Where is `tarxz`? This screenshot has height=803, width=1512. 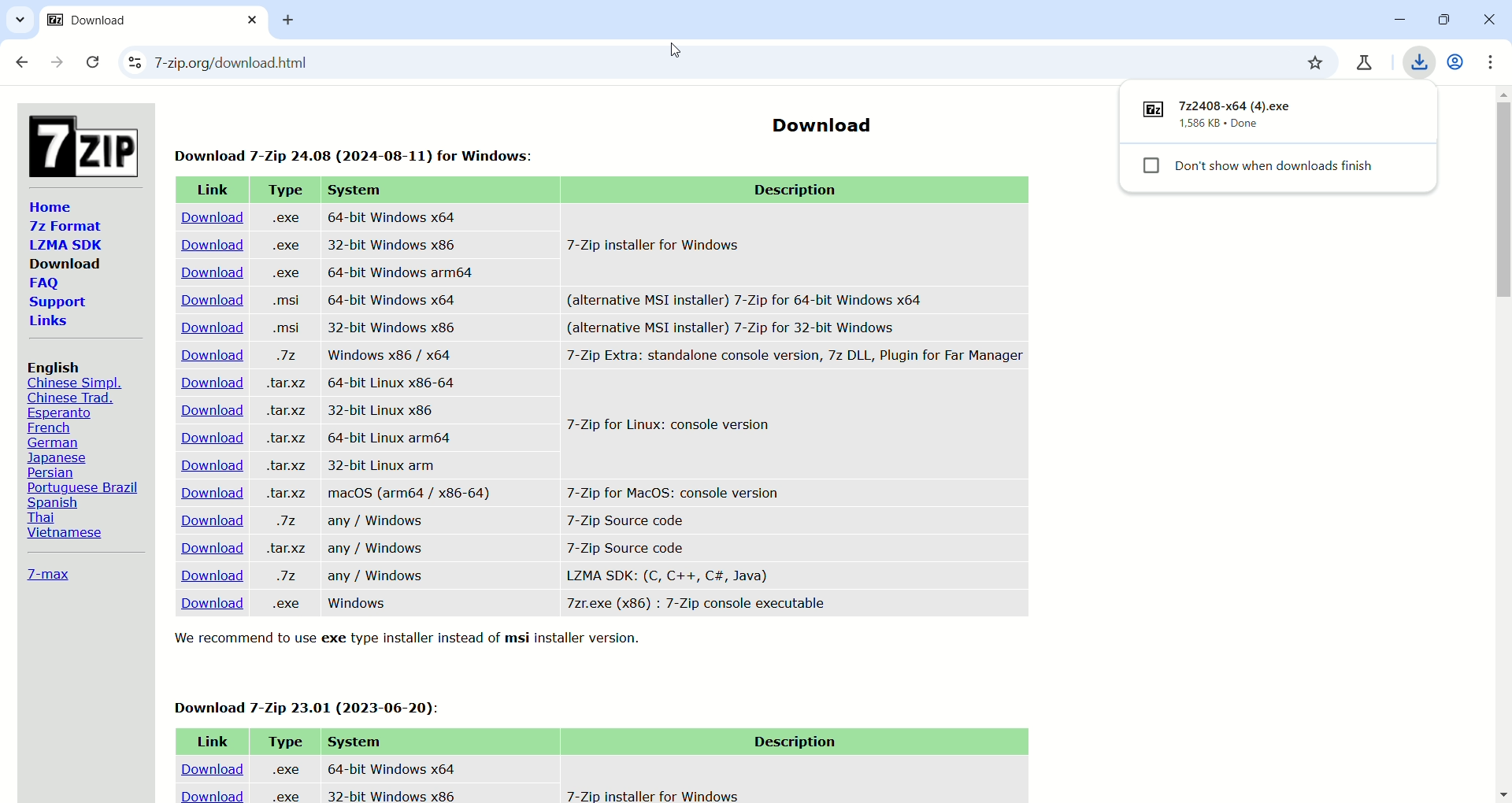
tarxz is located at coordinates (285, 412).